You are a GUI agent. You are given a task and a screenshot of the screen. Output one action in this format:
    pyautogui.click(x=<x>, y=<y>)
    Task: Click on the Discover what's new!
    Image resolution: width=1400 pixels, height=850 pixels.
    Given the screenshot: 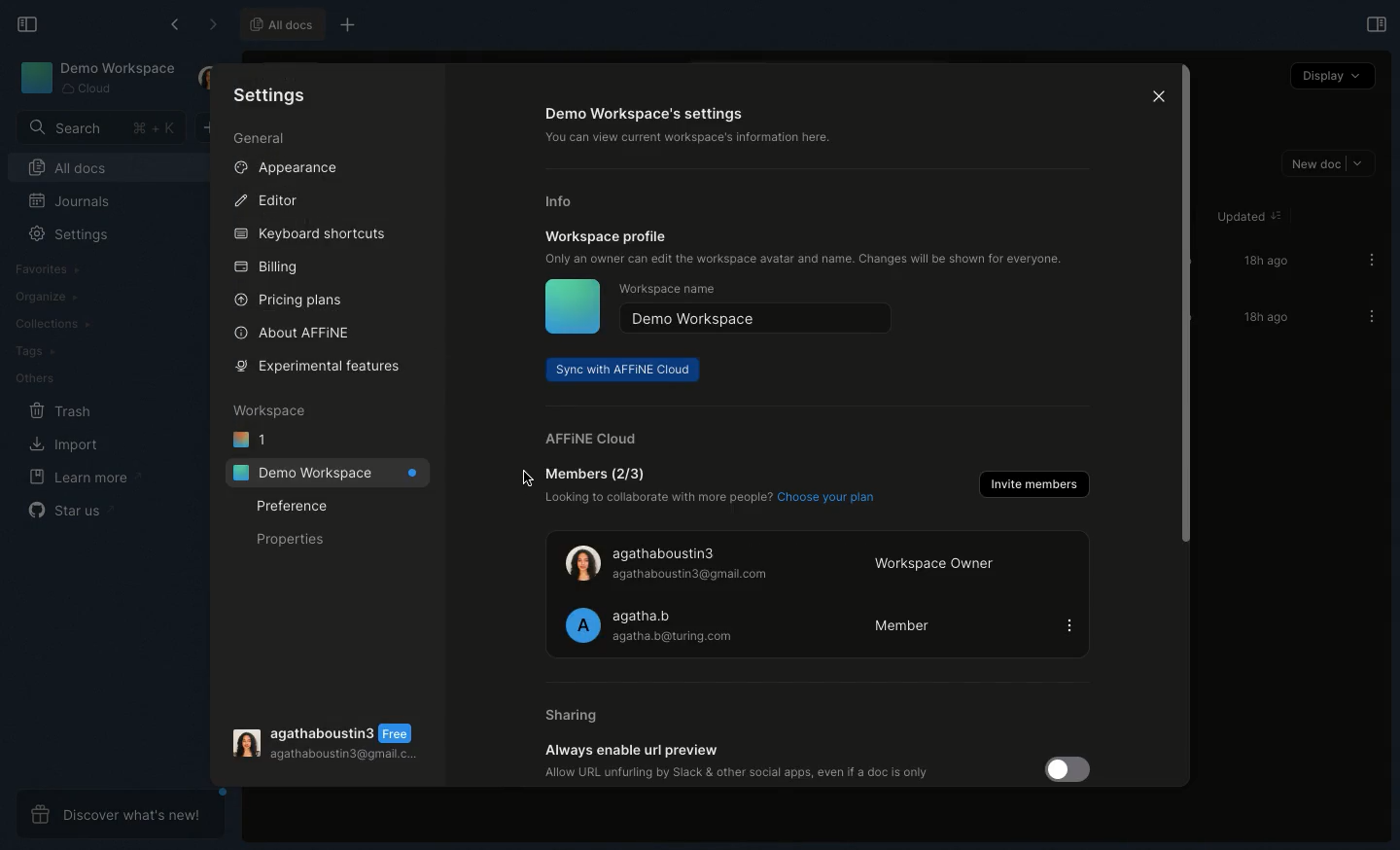 What is the action you would take?
    pyautogui.click(x=119, y=814)
    